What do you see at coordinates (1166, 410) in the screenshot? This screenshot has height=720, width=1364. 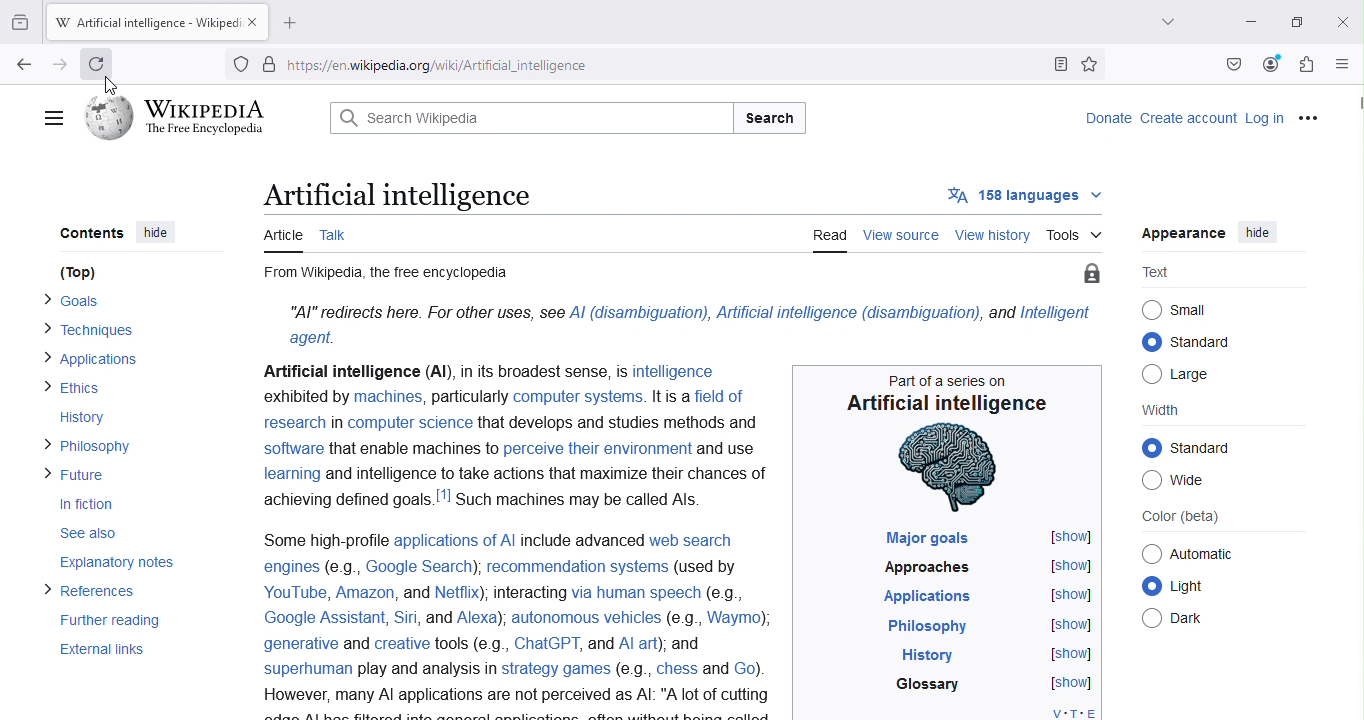 I see `Width` at bounding box center [1166, 410].